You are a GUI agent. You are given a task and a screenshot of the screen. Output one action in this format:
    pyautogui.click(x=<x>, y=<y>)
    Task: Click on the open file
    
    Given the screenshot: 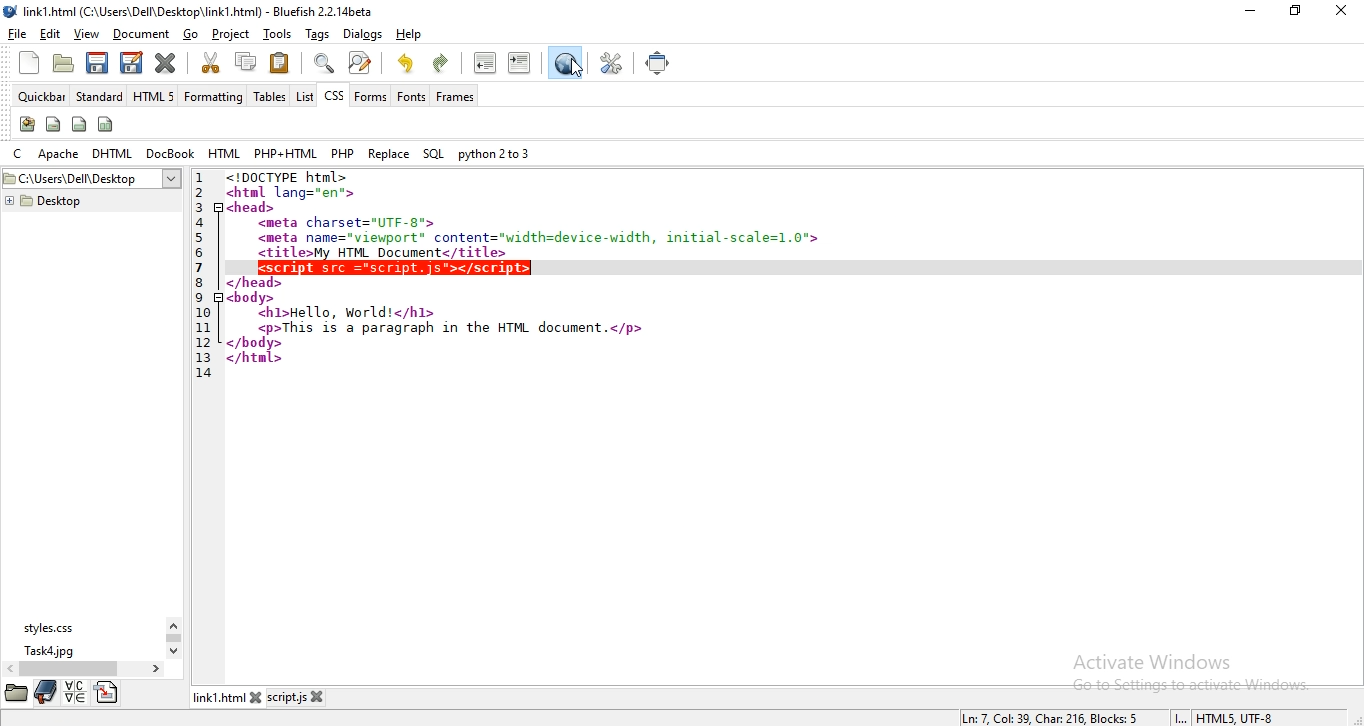 What is the action you would take?
    pyautogui.click(x=61, y=64)
    